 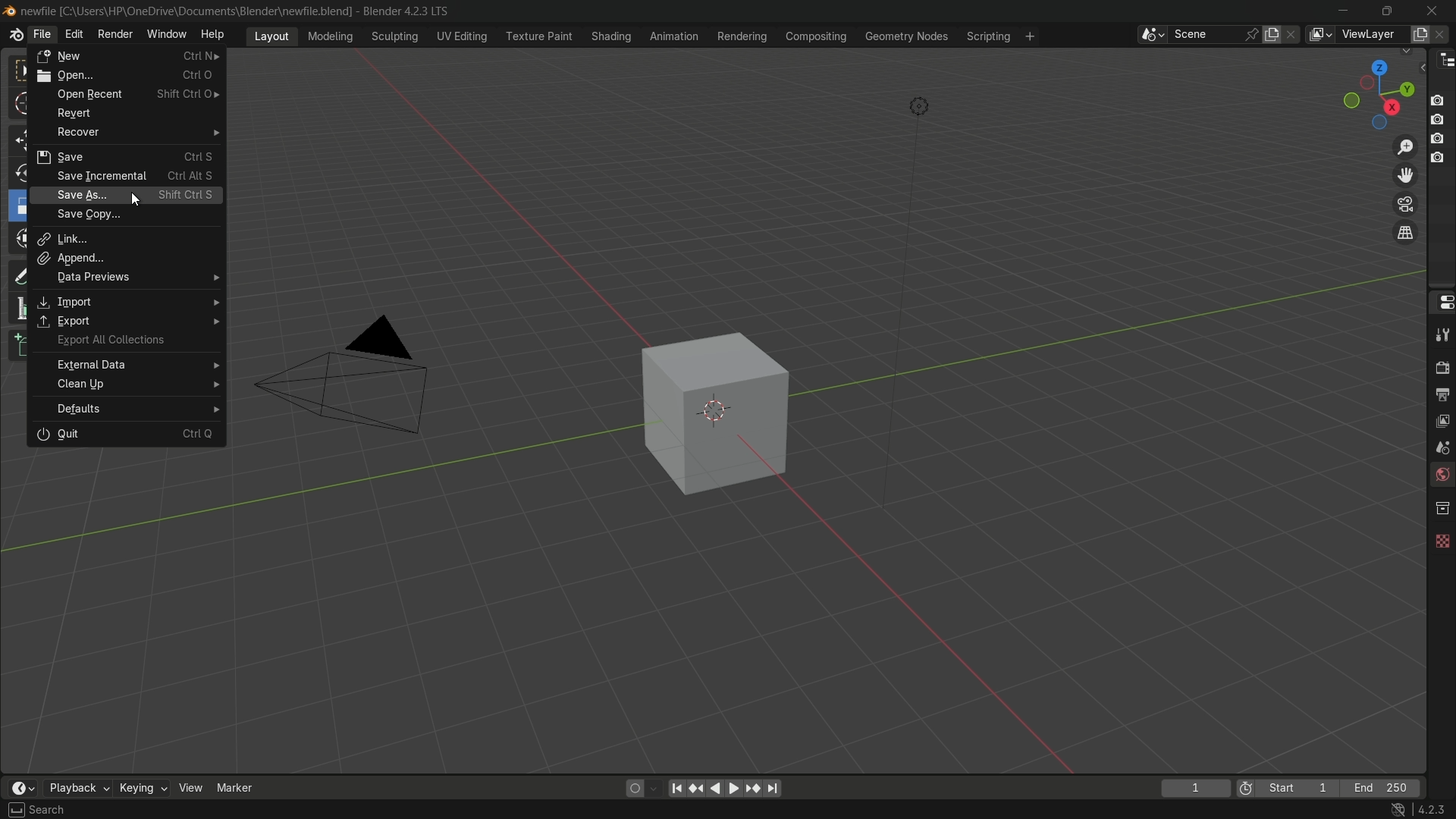 What do you see at coordinates (654, 788) in the screenshot?
I see `auto keyframe` at bounding box center [654, 788].